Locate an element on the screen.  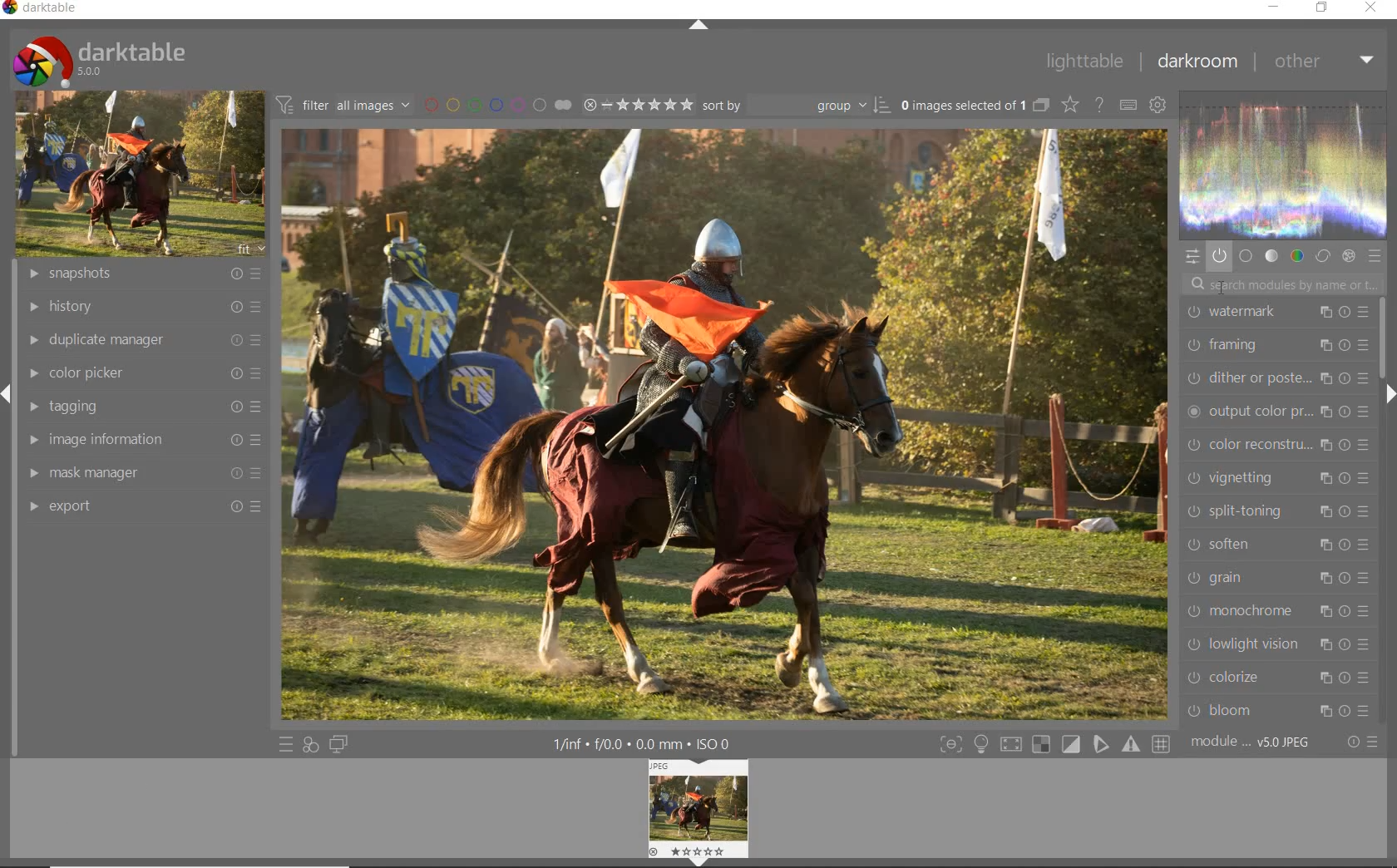
enable for online help is located at coordinates (1099, 107).